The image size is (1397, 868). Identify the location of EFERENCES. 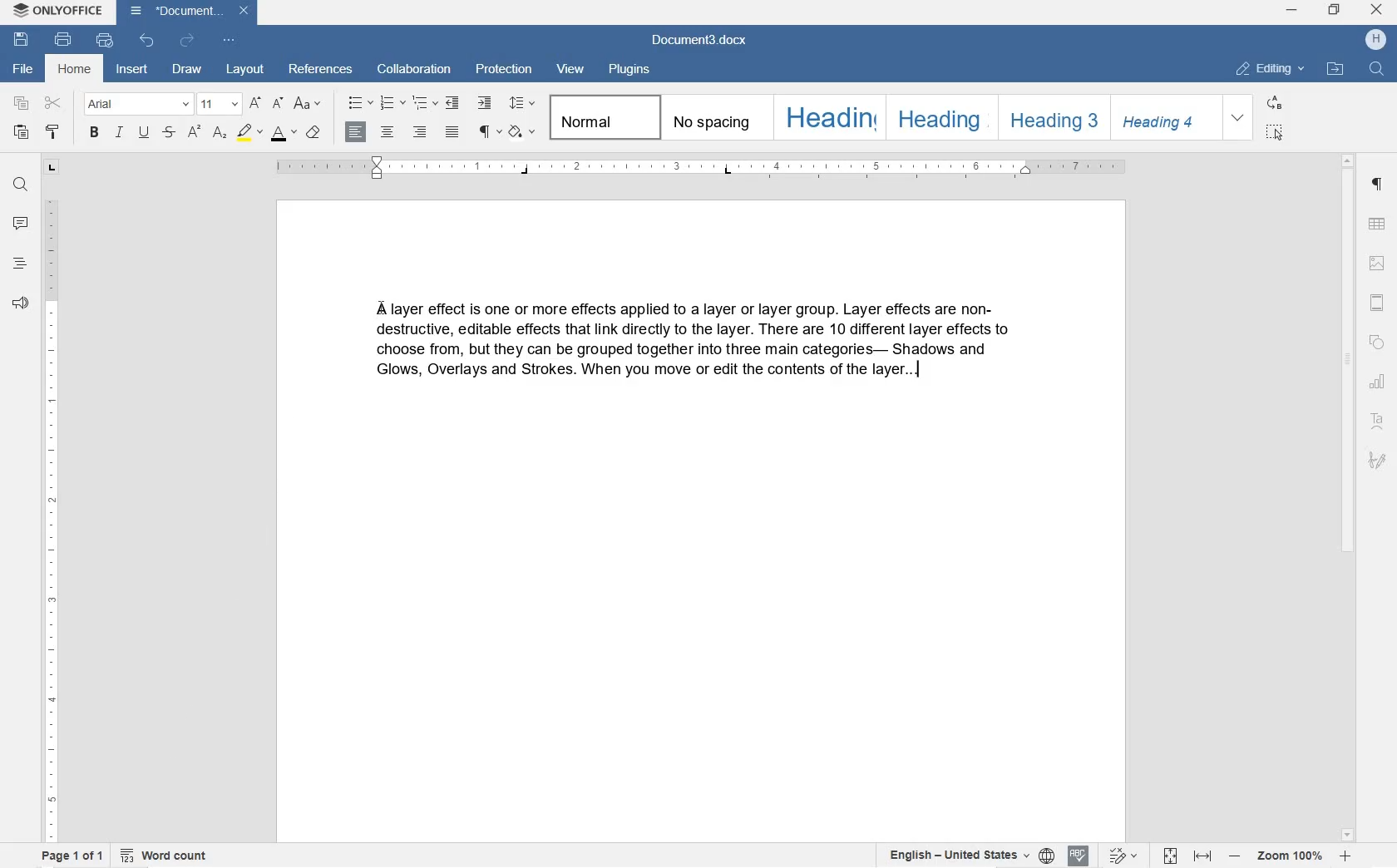
(321, 69).